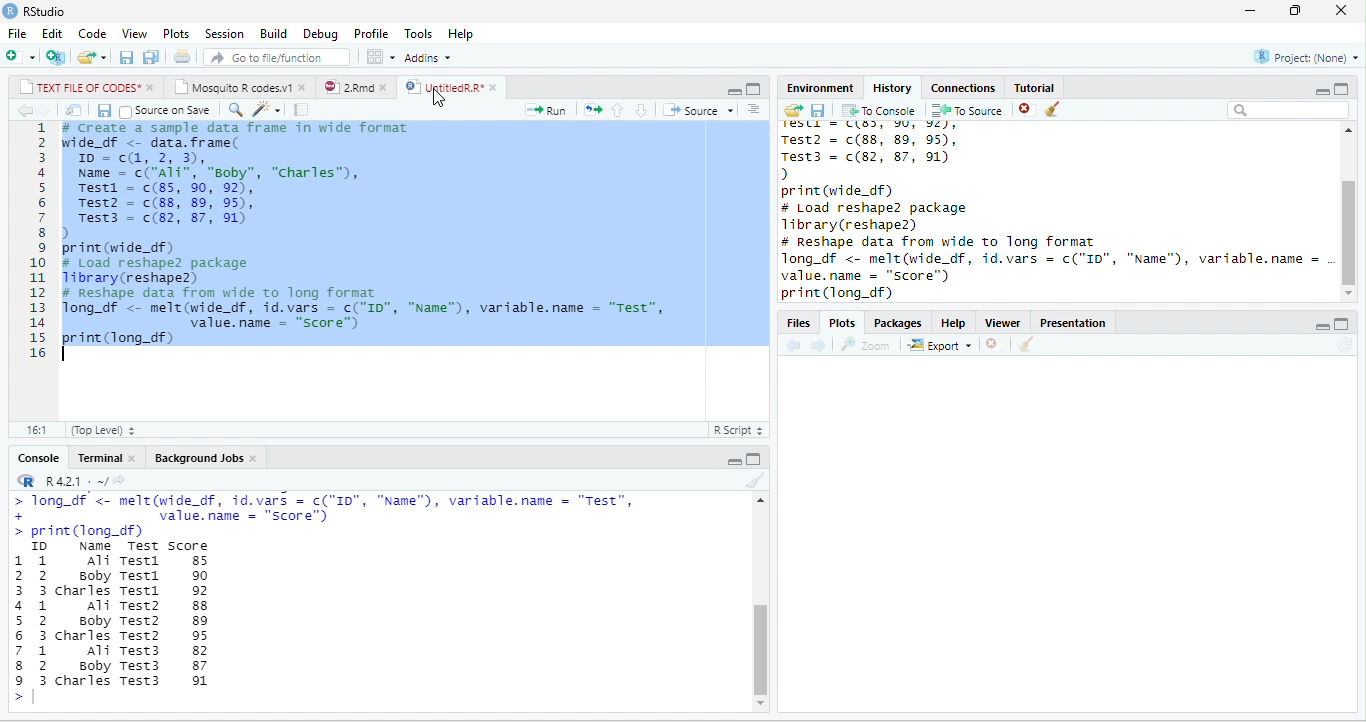 This screenshot has height=722, width=1366. What do you see at coordinates (734, 92) in the screenshot?
I see `minimize` at bounding box center [734, 92].